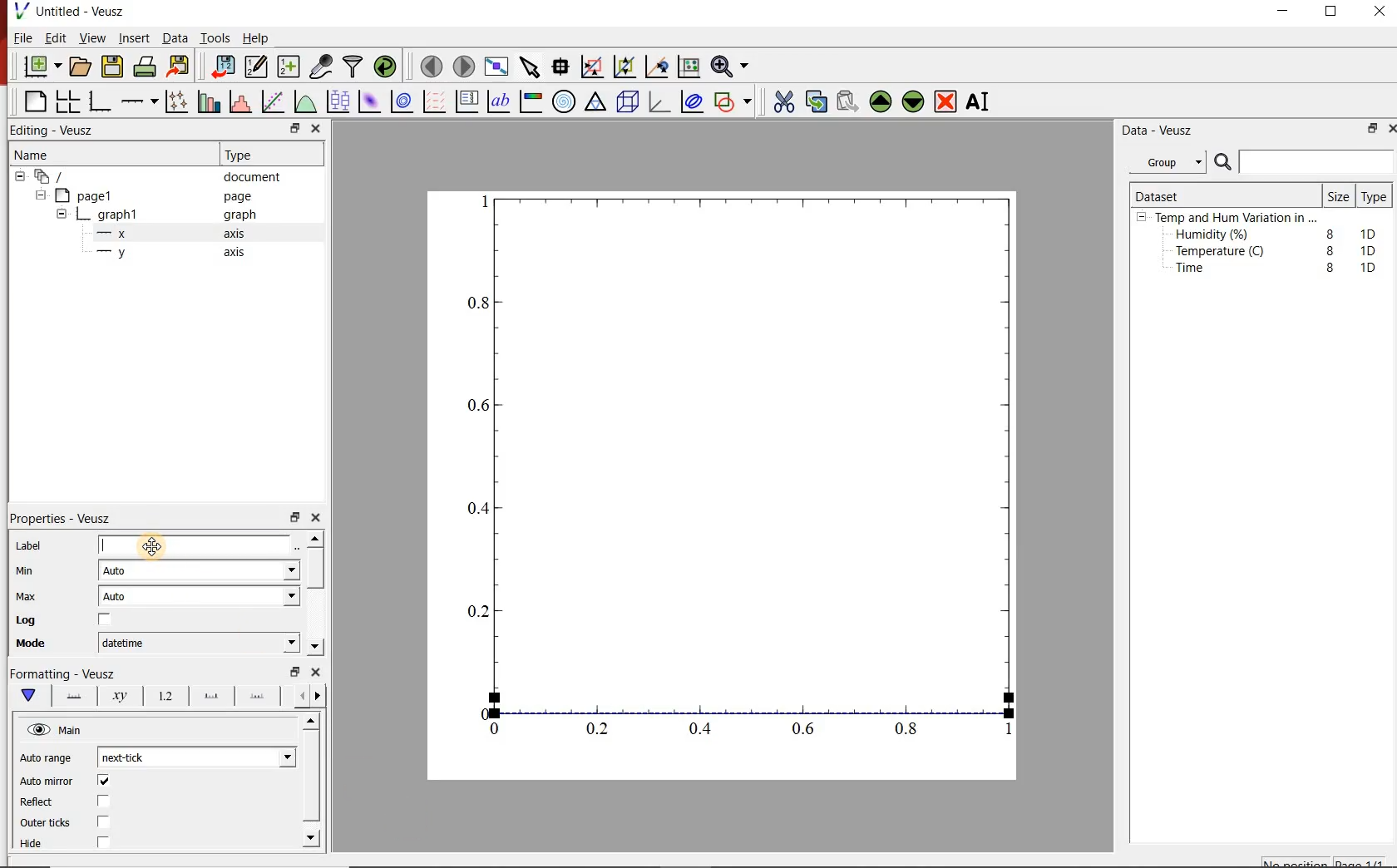  I want to click on 8, so click(1327, 249).